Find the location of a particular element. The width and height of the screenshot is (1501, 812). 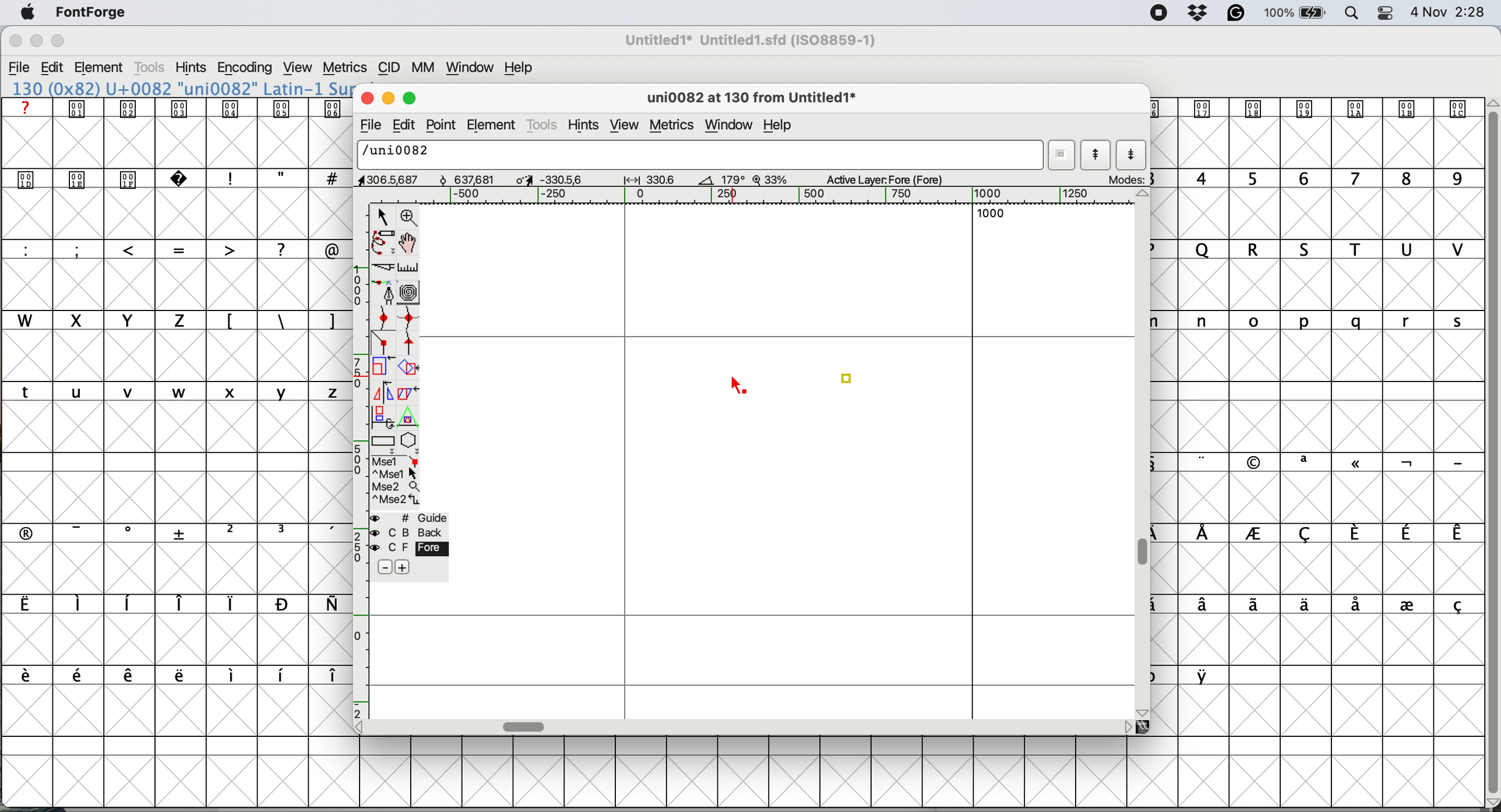

help is located at coordinates (522, 68).